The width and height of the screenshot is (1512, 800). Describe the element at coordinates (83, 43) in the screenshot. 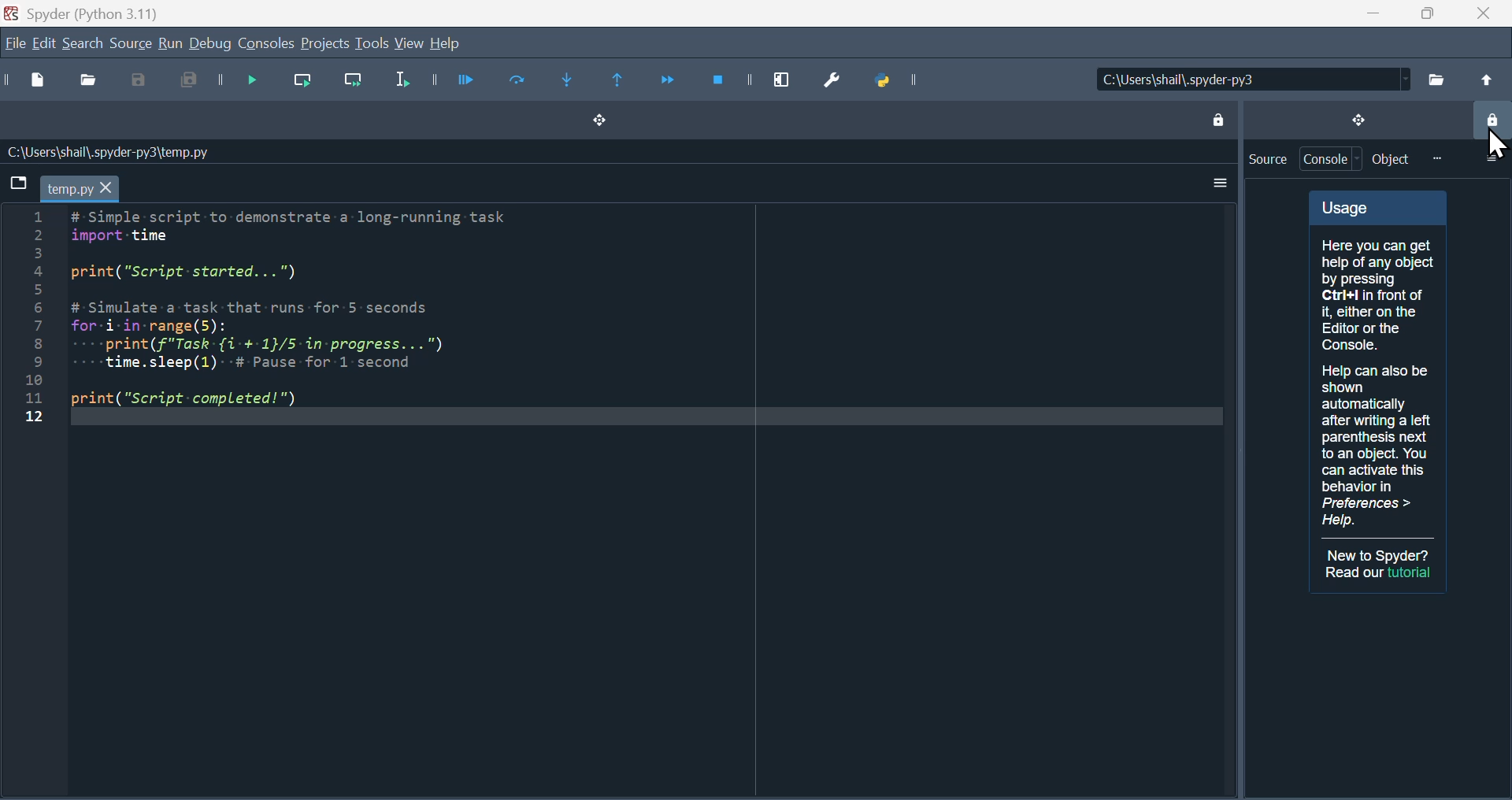

I see `search` at that location.